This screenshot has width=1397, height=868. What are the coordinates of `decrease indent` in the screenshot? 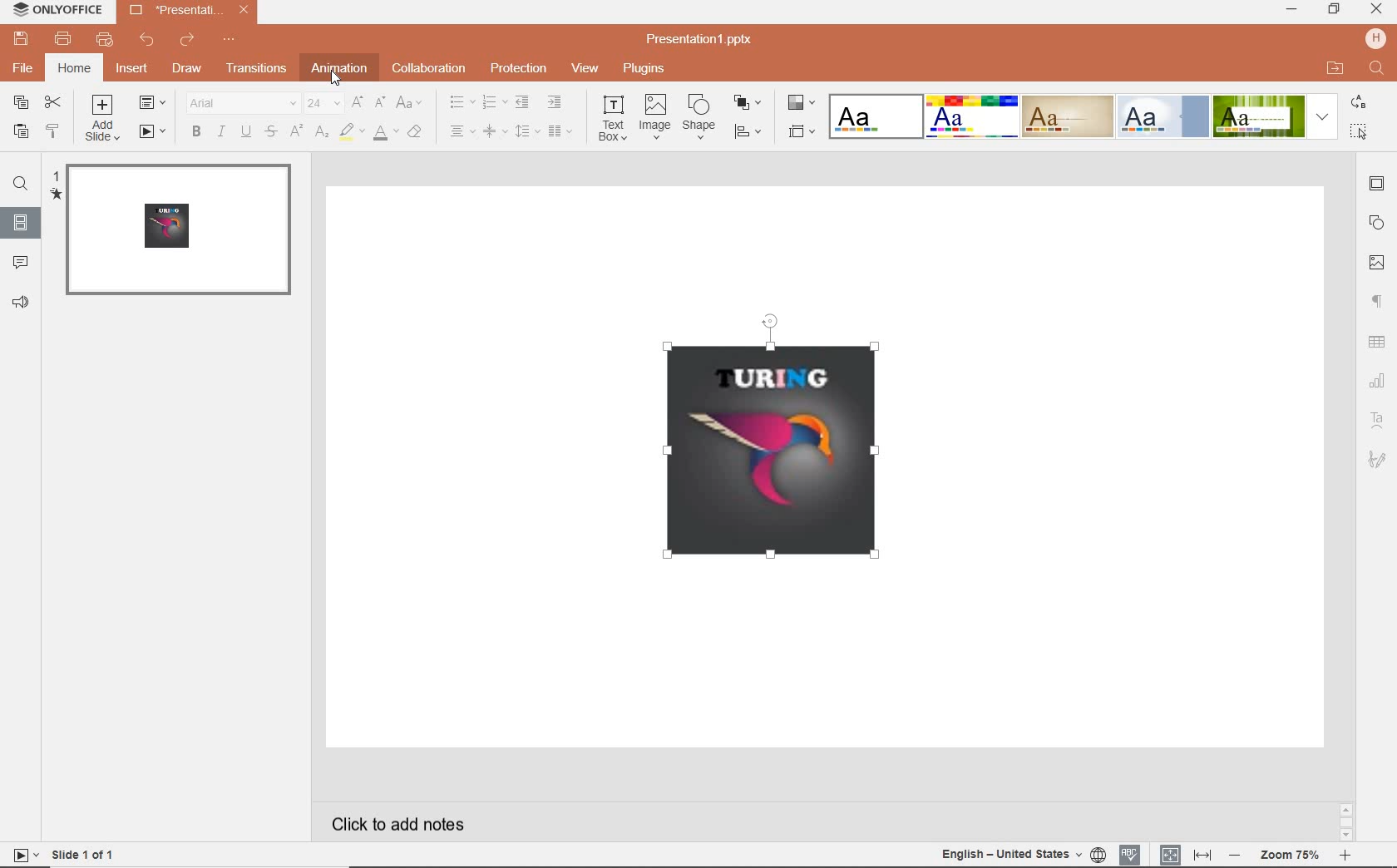 It's located at (523, 103).